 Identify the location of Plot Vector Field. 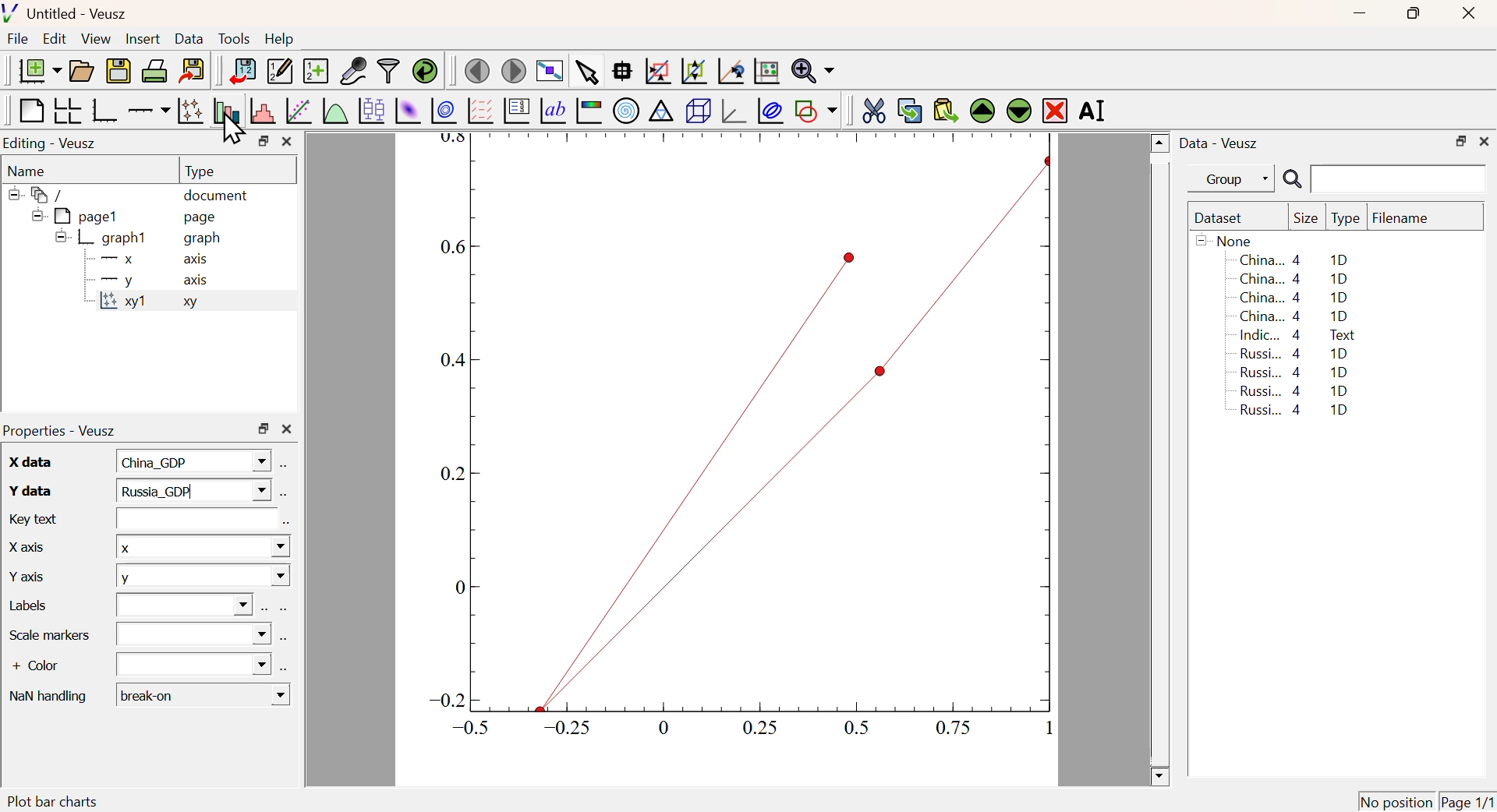
(478, 110).